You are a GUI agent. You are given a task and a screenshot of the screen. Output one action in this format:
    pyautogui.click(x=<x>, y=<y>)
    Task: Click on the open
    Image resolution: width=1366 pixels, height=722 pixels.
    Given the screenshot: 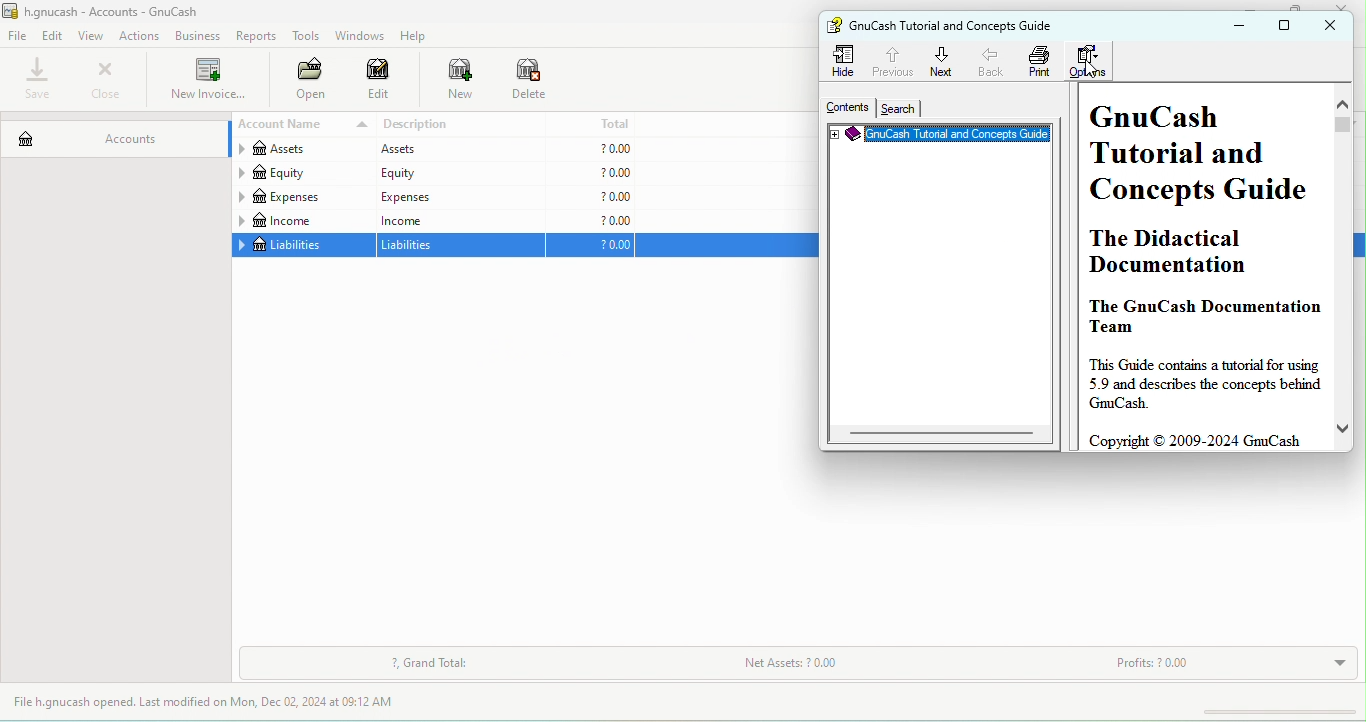 What is the action you would take?
    pyautogui.click(x=305, y=81)
    